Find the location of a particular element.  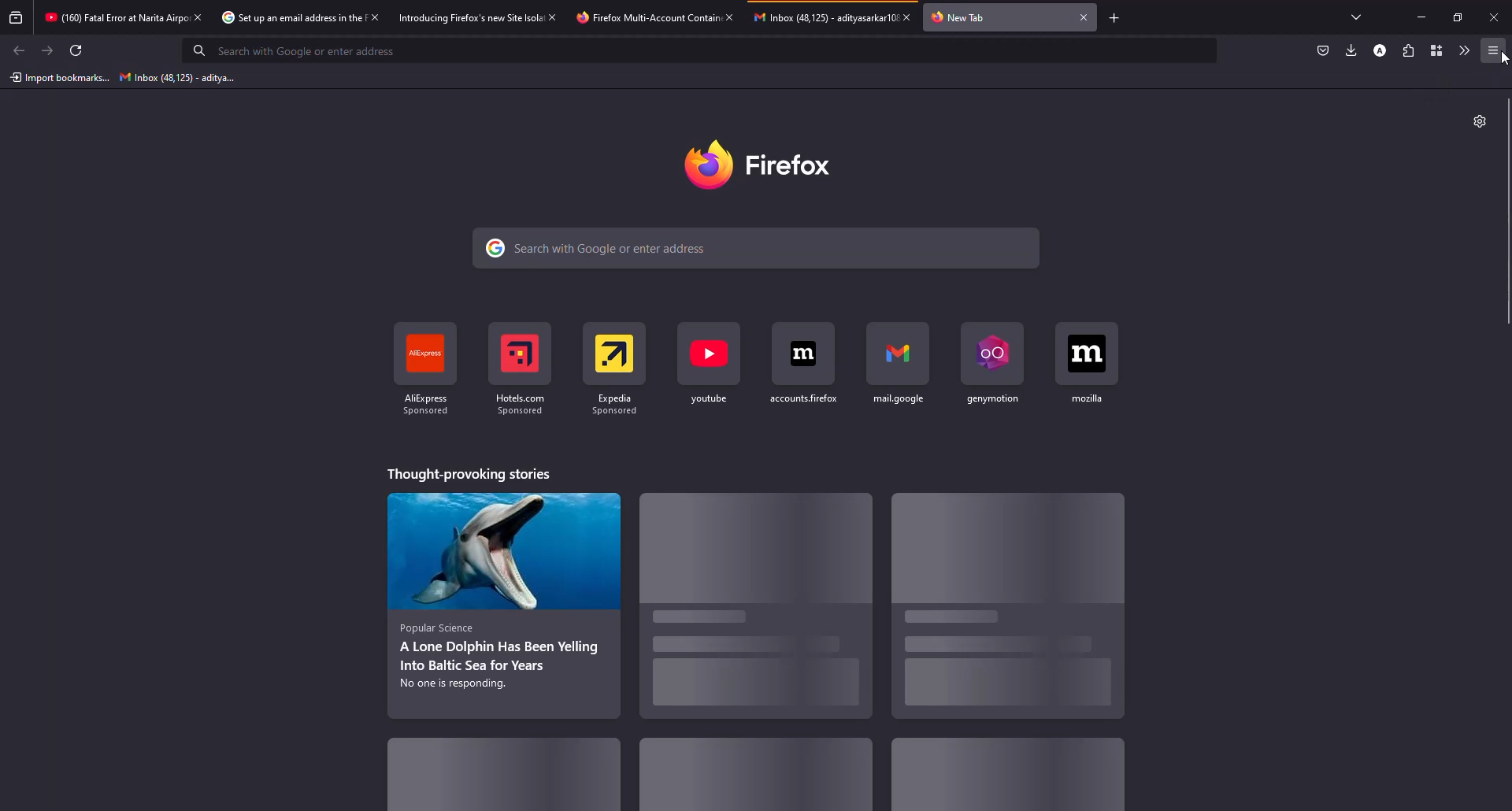

minimize is located at coordinates (1424, 17).